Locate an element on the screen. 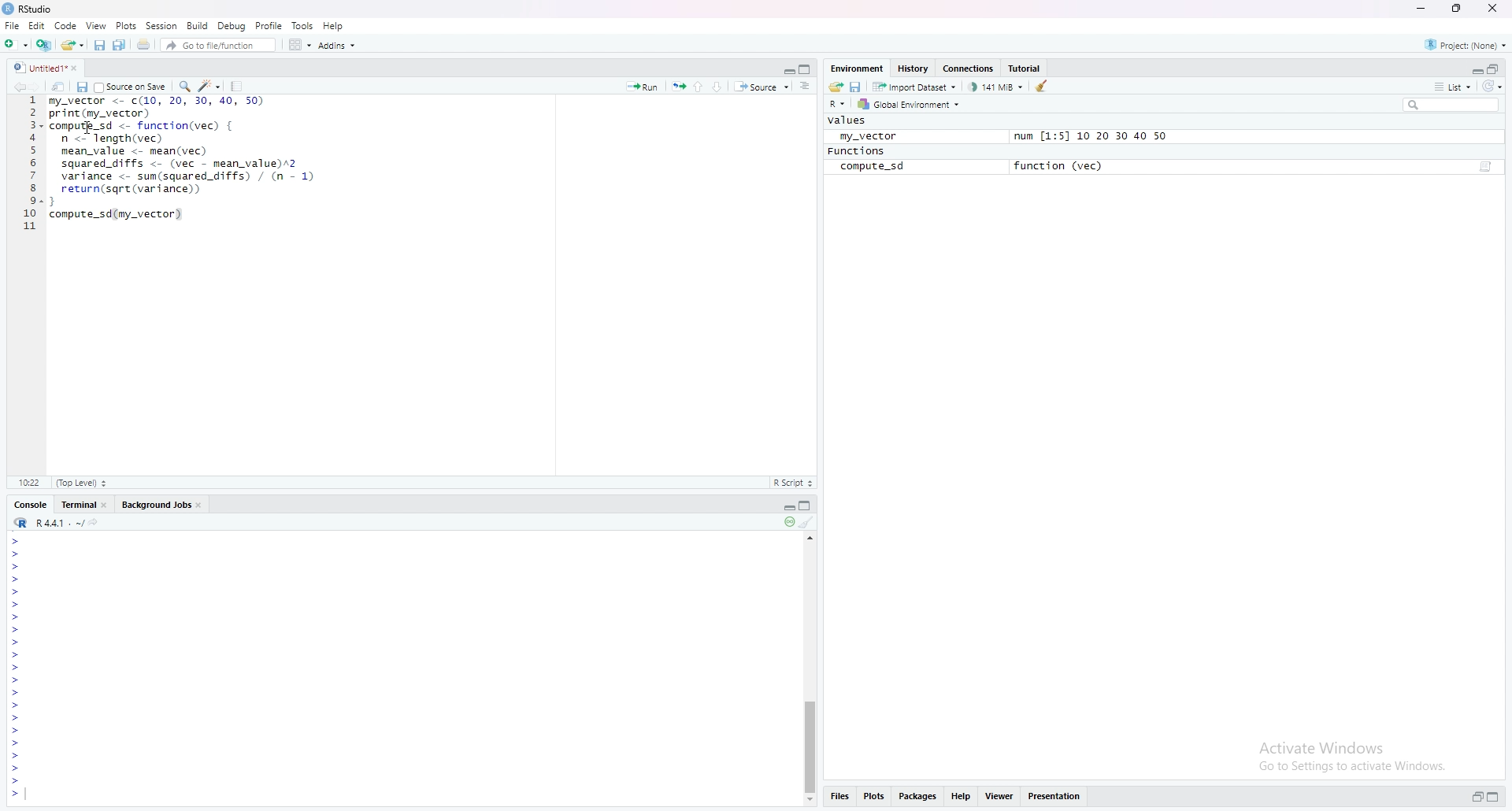 The height and width of the screenshot is (811, 1512). Show document outline (Ctrl + Shift + O) is located at coordinates (805, 86).